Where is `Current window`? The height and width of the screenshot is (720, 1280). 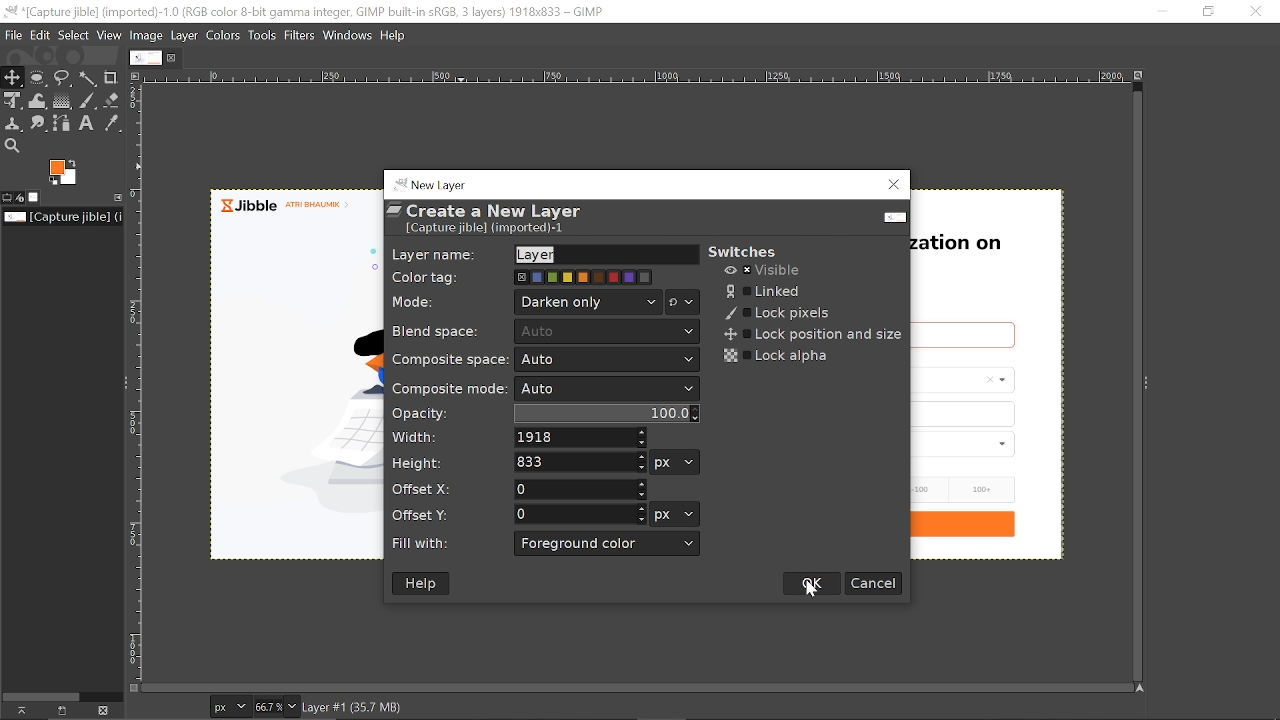 Current window is located at coordinates (317, 11).